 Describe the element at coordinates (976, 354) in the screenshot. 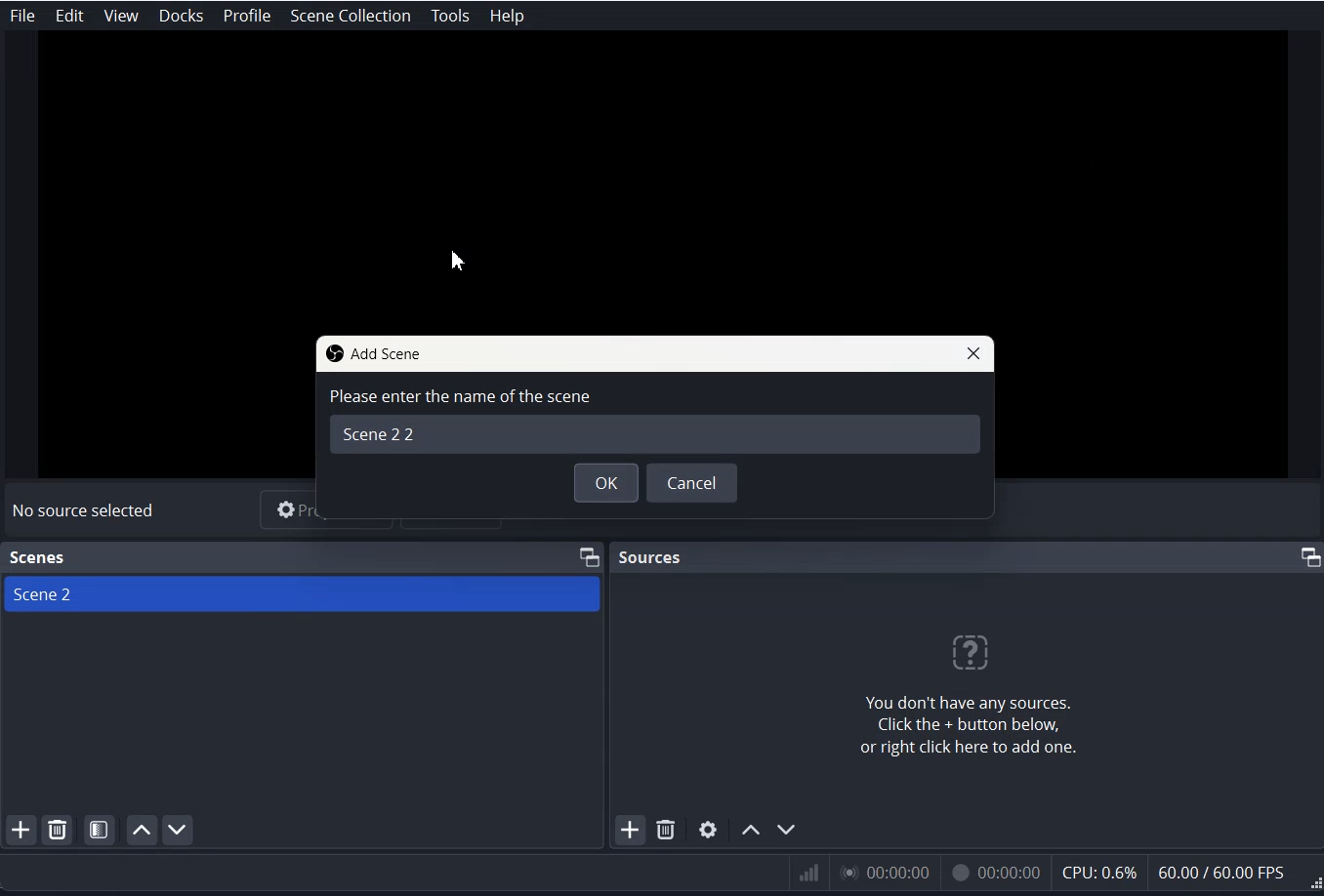

I see `Close` at that location.